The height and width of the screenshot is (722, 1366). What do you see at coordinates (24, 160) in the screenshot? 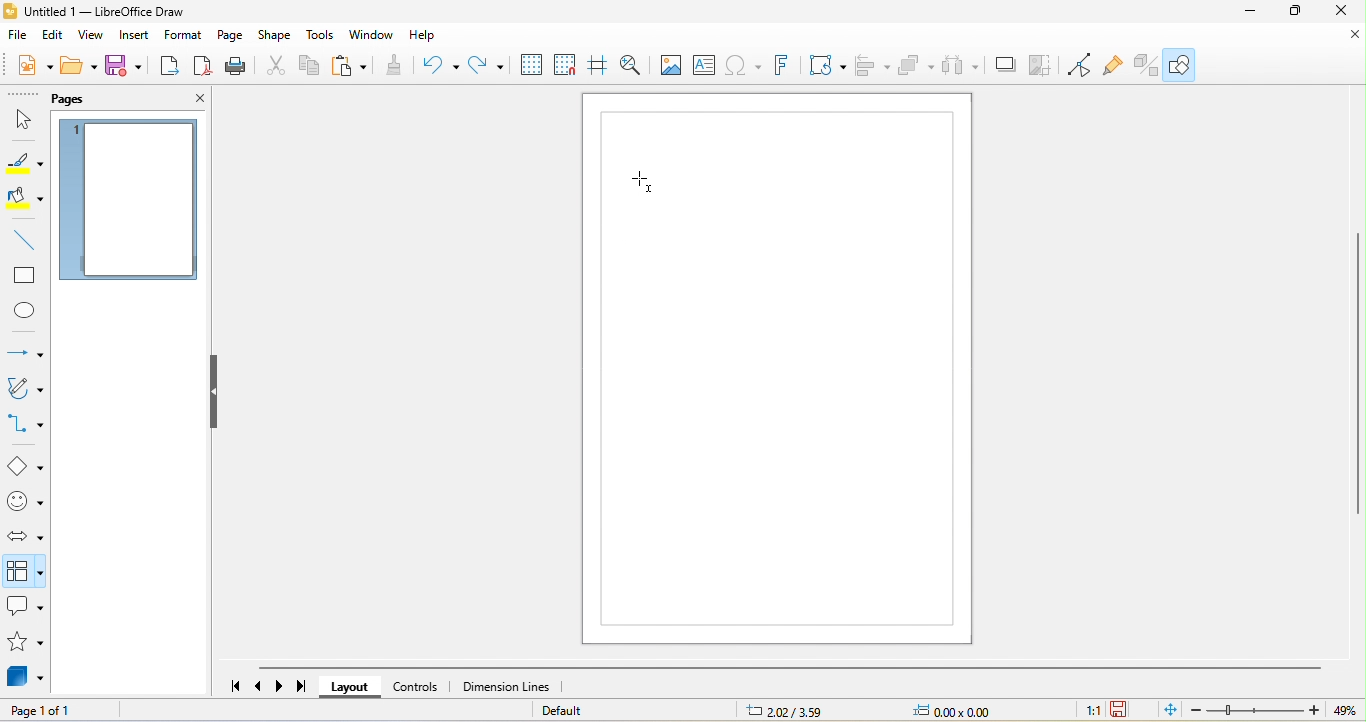
I see `line color` at bounding box center [24, 160].